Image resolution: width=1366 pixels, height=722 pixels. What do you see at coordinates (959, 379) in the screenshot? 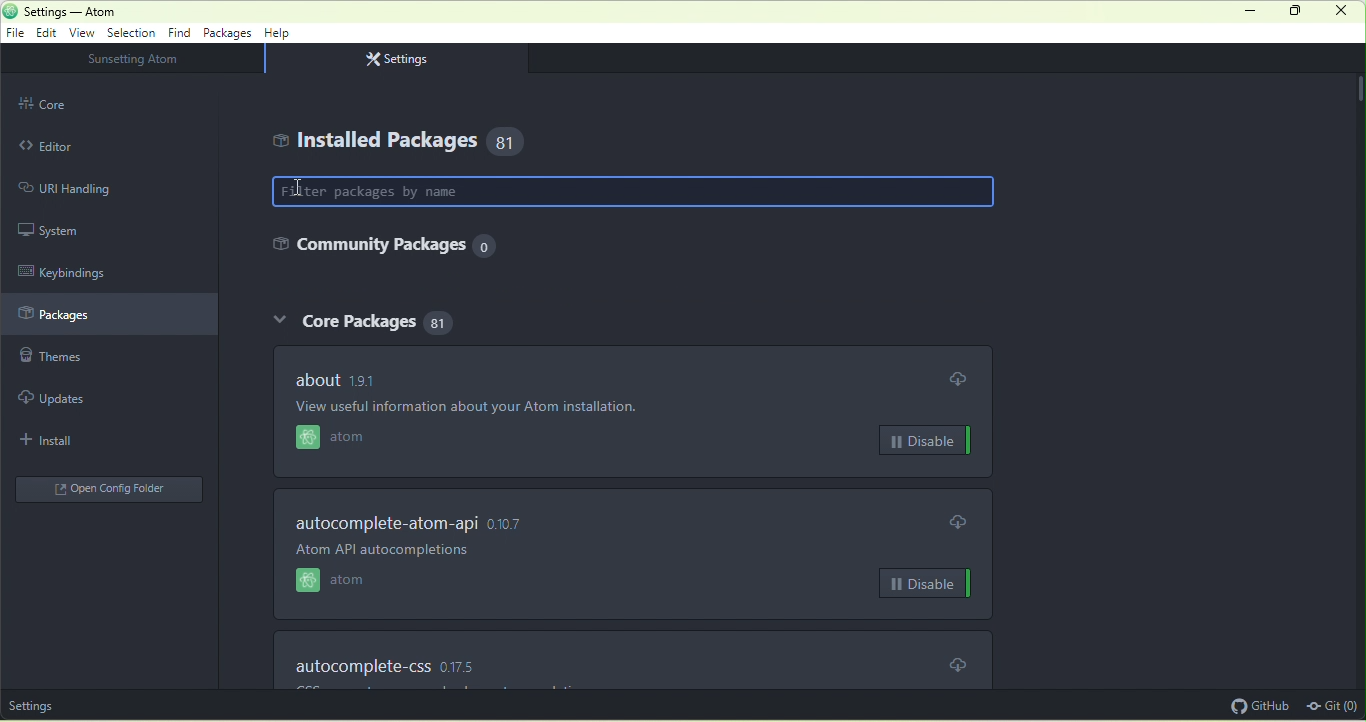
I see `update` at bounding box center [959, 379].